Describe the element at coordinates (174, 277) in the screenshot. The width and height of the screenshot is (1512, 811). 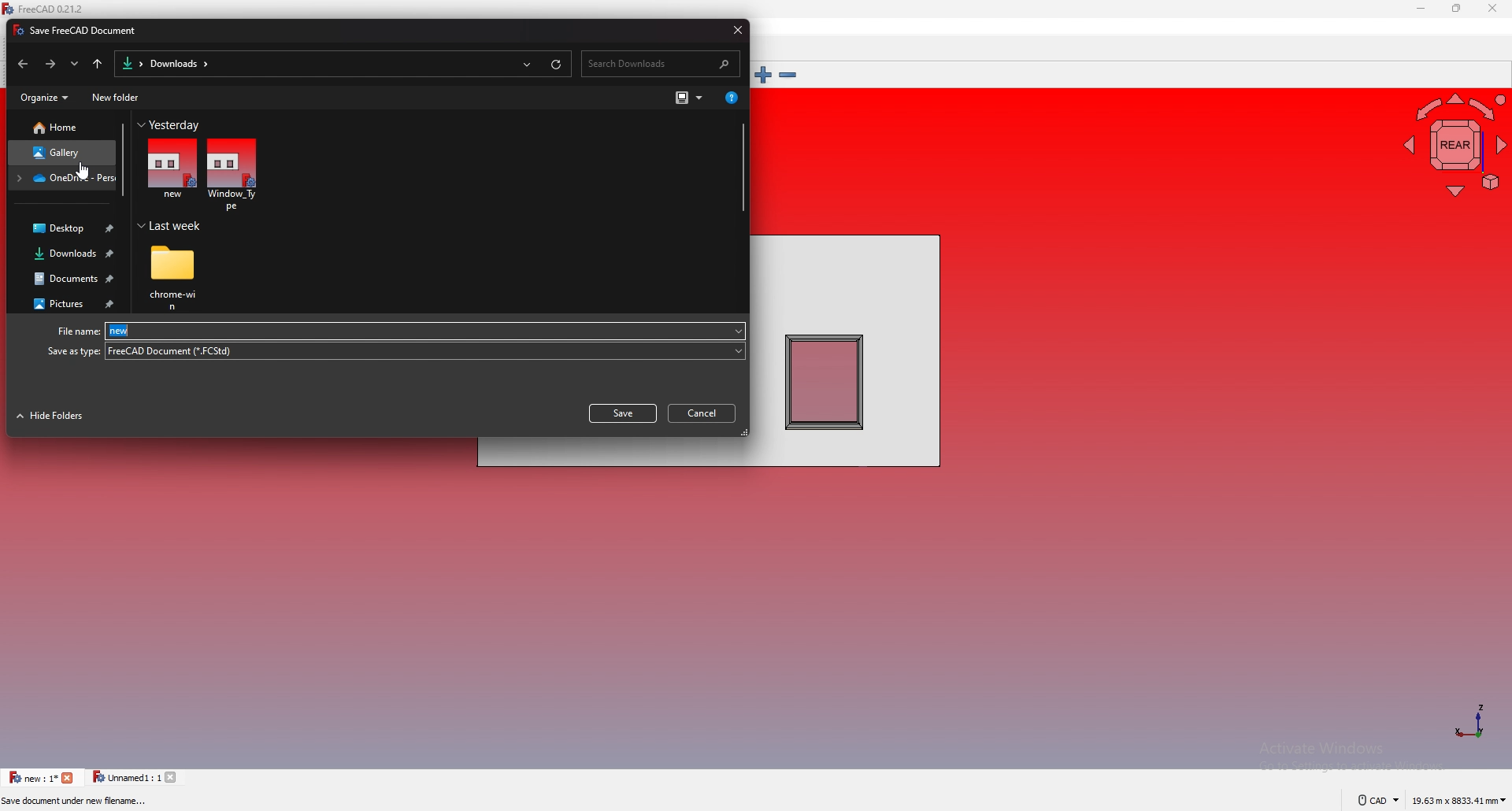
I see `folder` at that location.